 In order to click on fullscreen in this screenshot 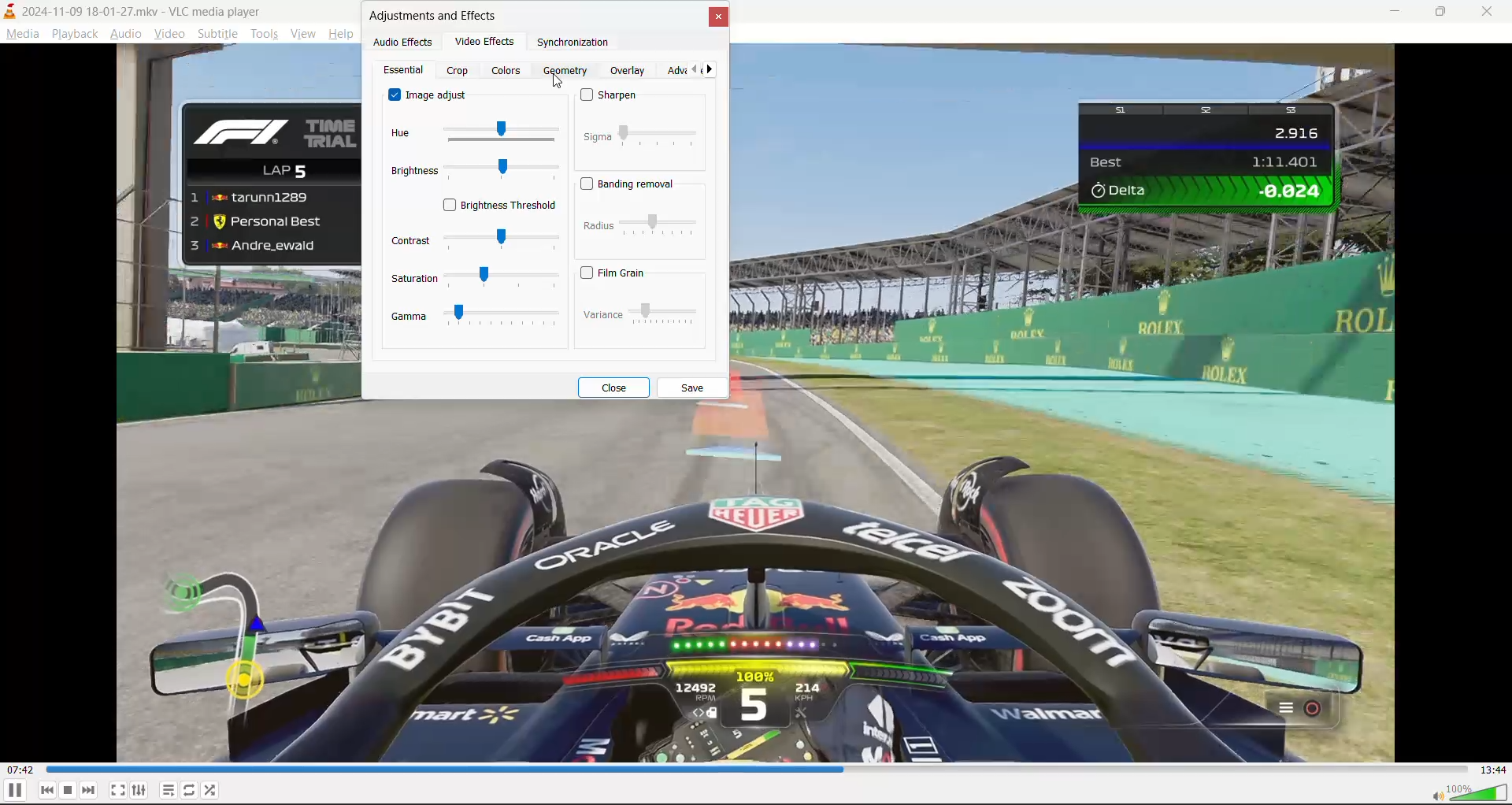, I will do `click(117, 787)`.